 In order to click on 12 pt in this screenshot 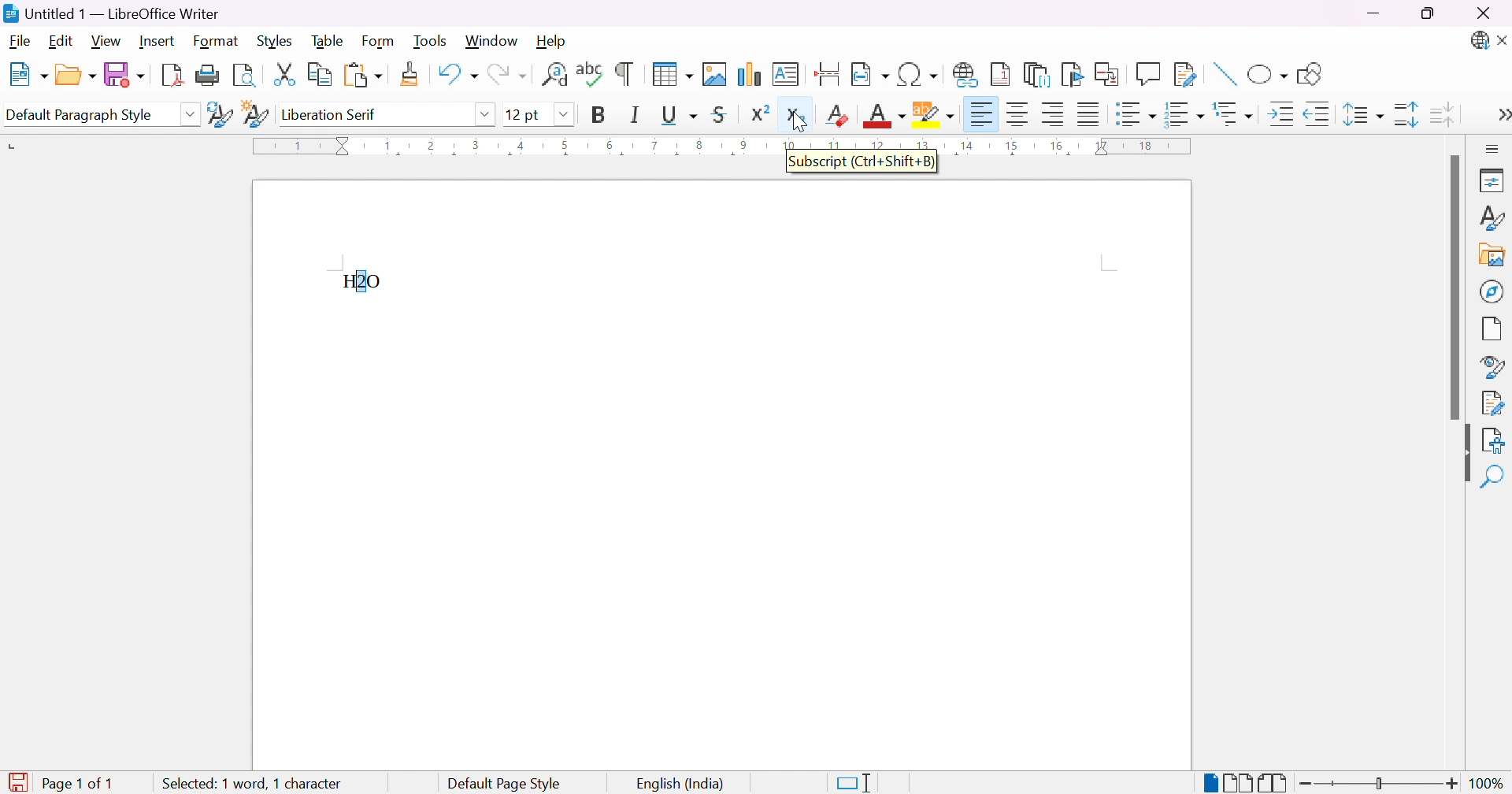, I will do `click(524, 114)`.